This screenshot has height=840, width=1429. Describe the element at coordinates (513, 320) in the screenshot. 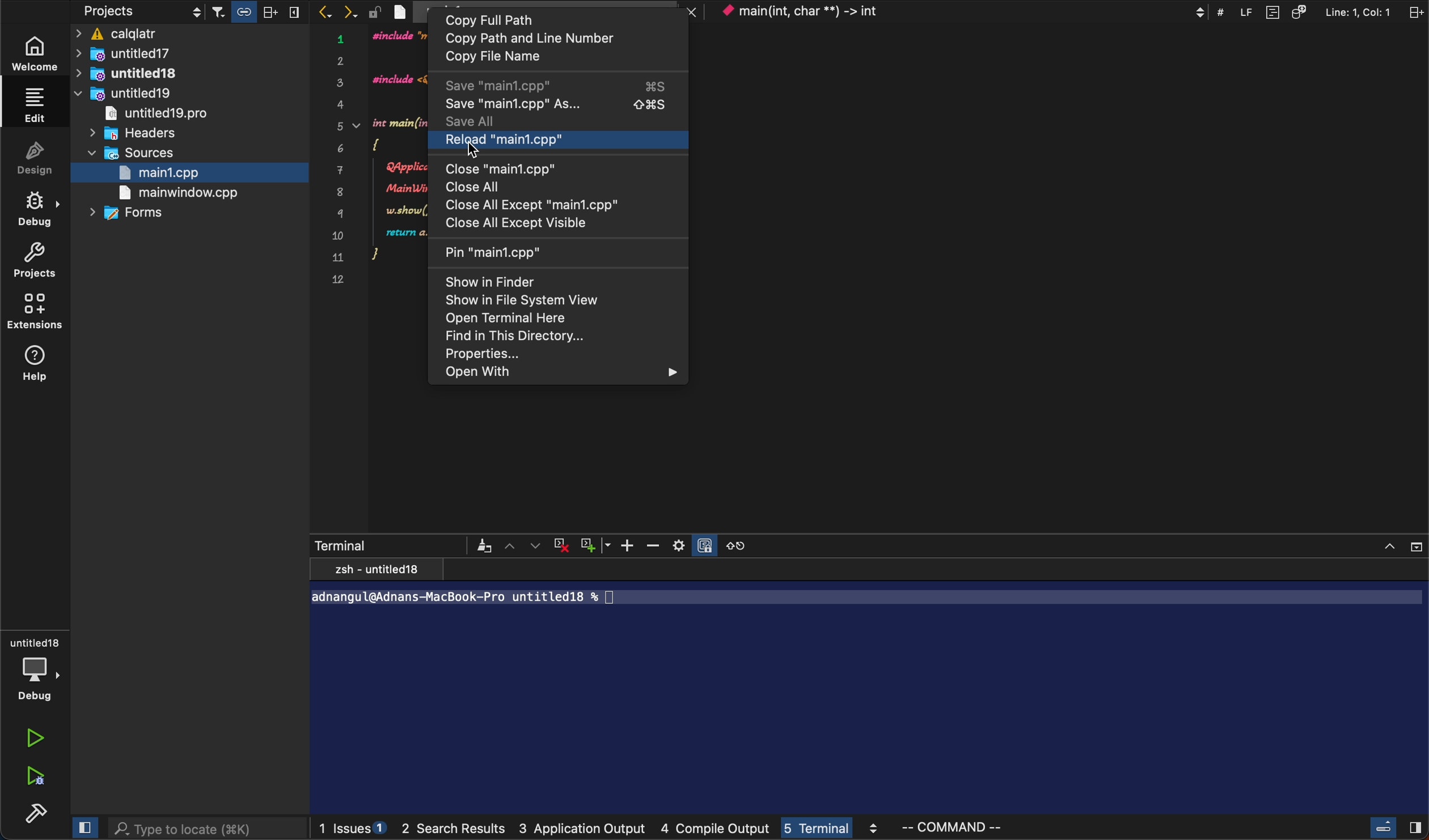

I see `open` at that location.